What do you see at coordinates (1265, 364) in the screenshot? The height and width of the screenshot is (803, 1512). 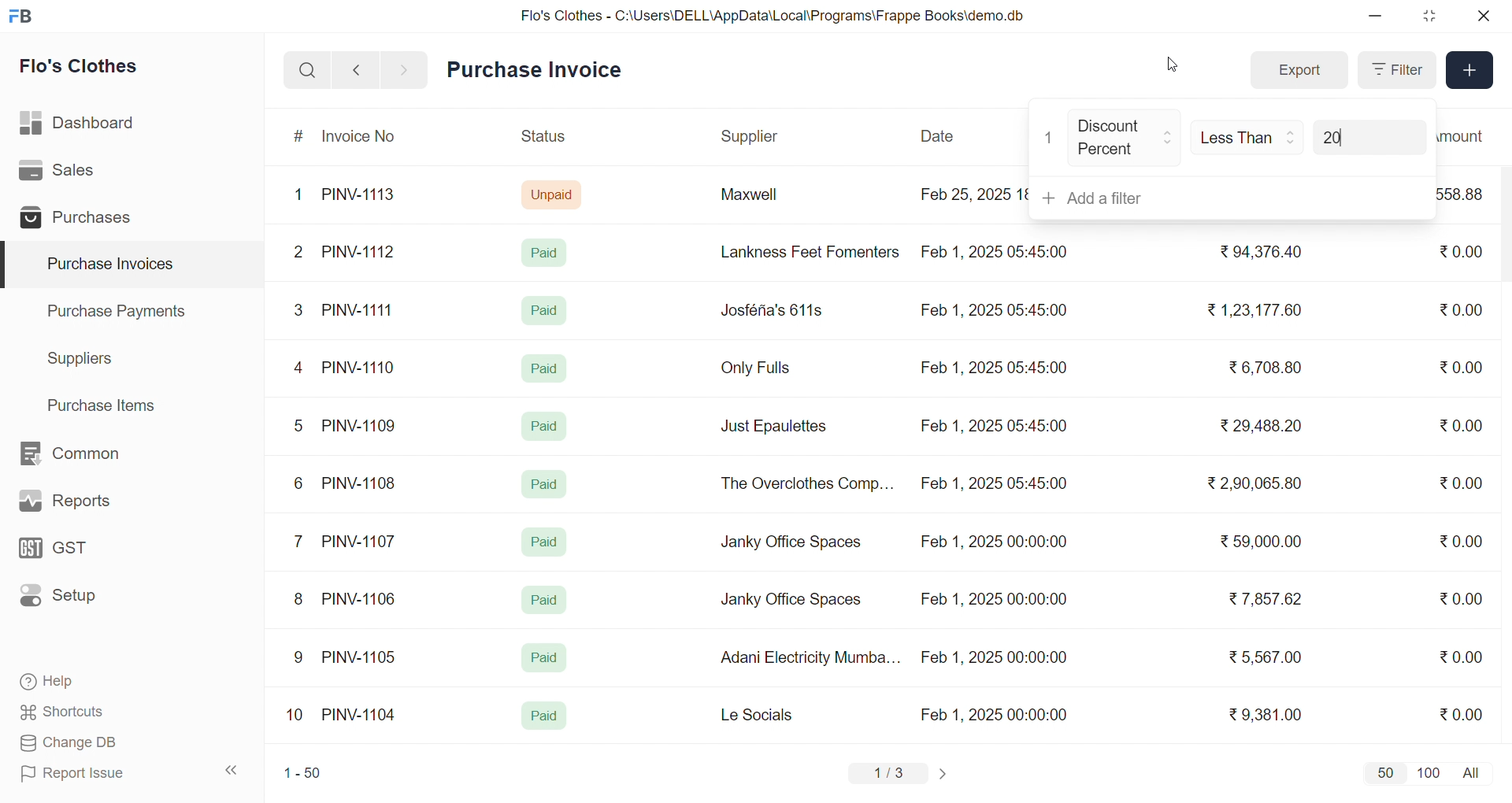 I see `₹6,708.80` at bounding box center [1265, 364].